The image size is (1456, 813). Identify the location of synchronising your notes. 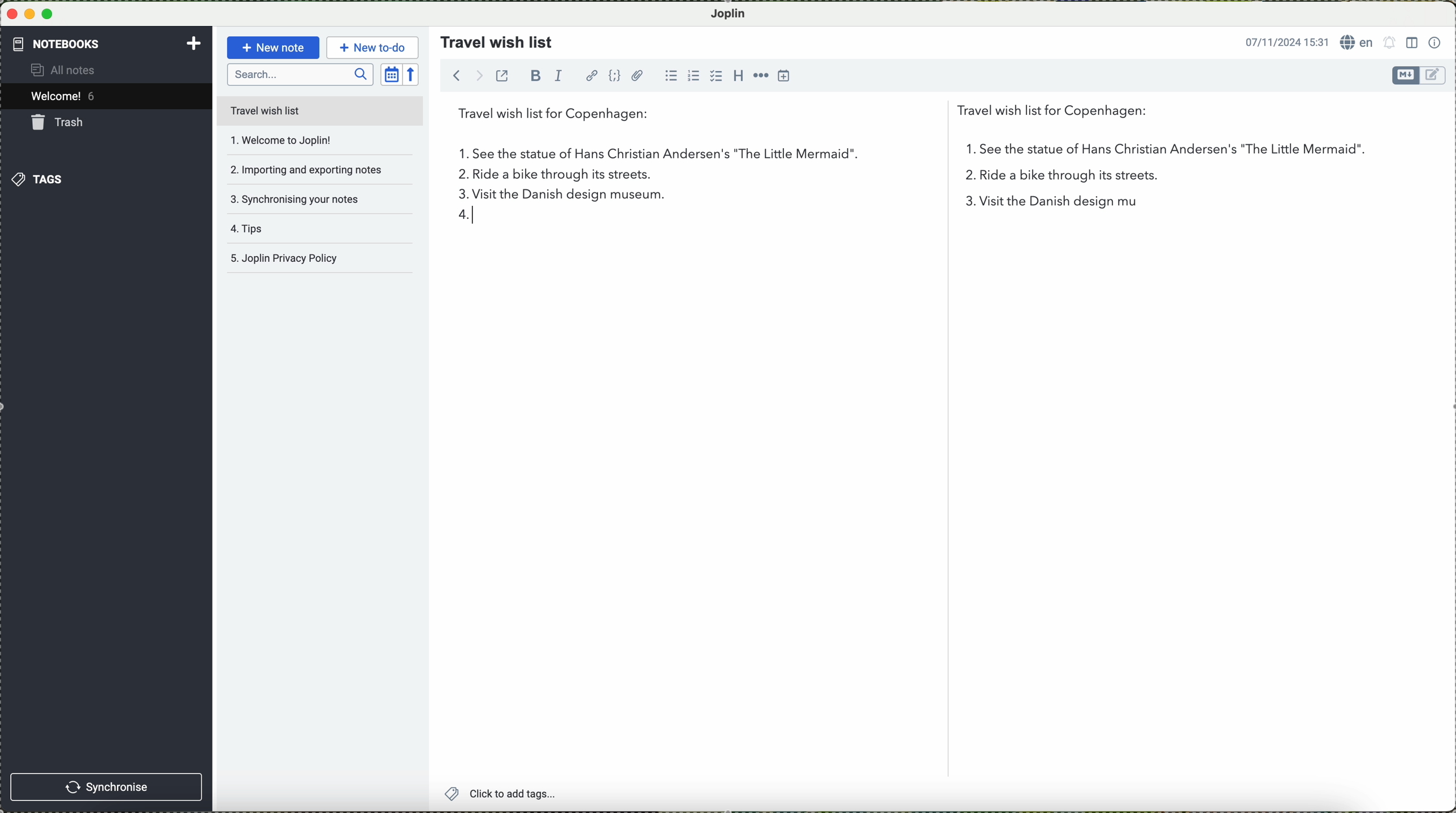
(304, 198).